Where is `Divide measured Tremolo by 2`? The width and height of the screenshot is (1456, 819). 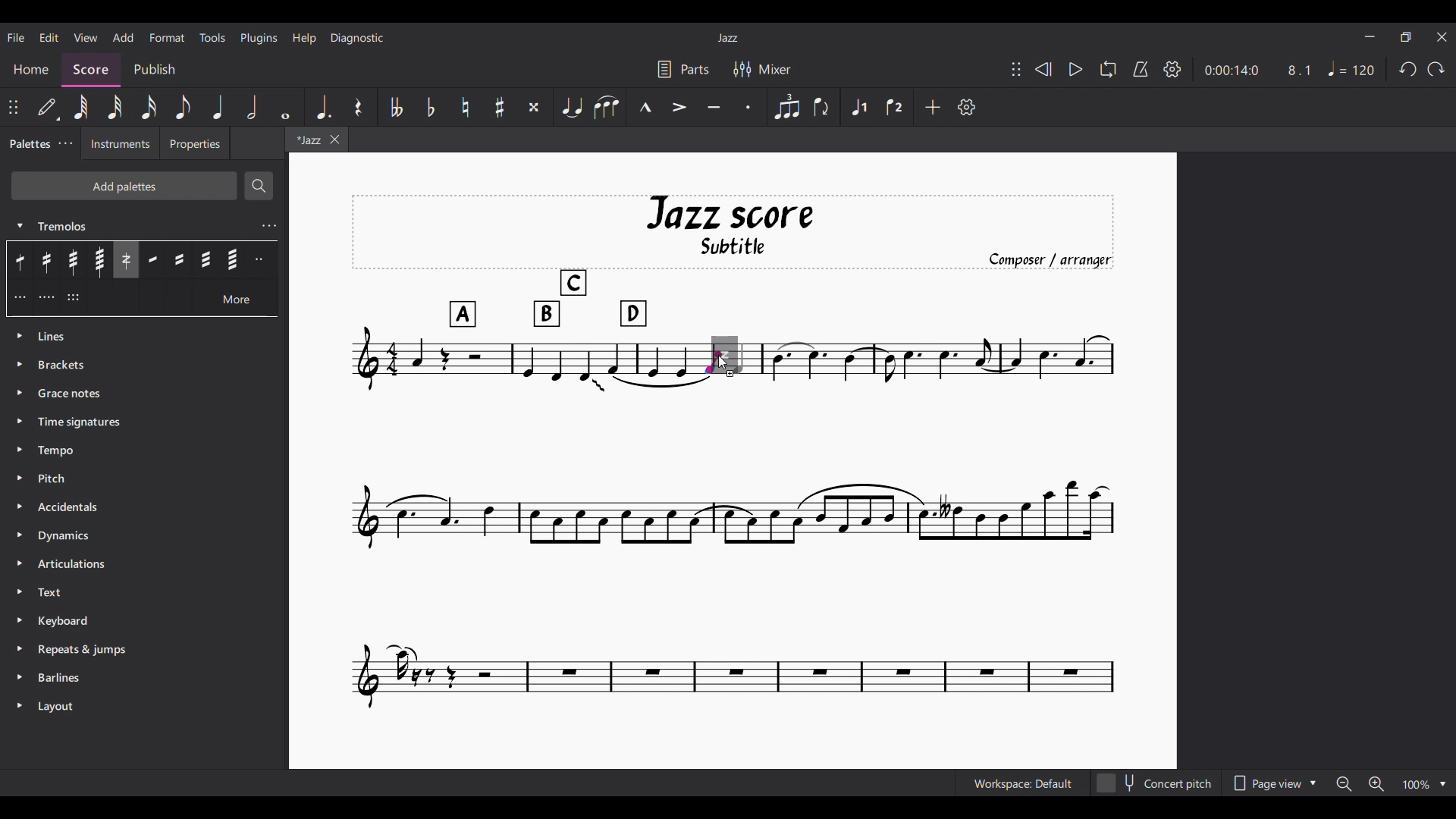
Divide measured Tremolo by 2 is located at coordinates (262, 259).